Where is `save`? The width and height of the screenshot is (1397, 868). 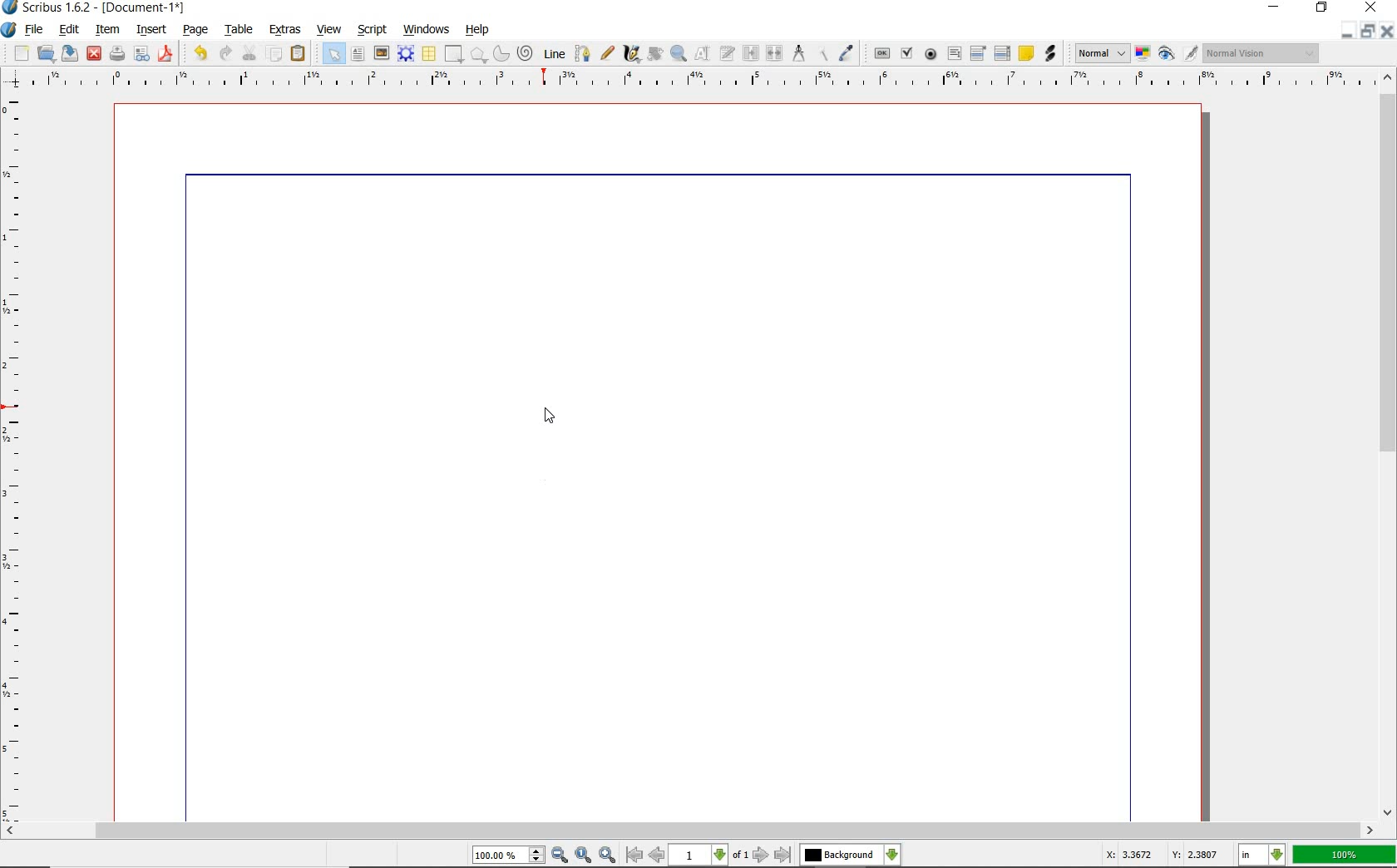
save is located at coordinates (72, 52).